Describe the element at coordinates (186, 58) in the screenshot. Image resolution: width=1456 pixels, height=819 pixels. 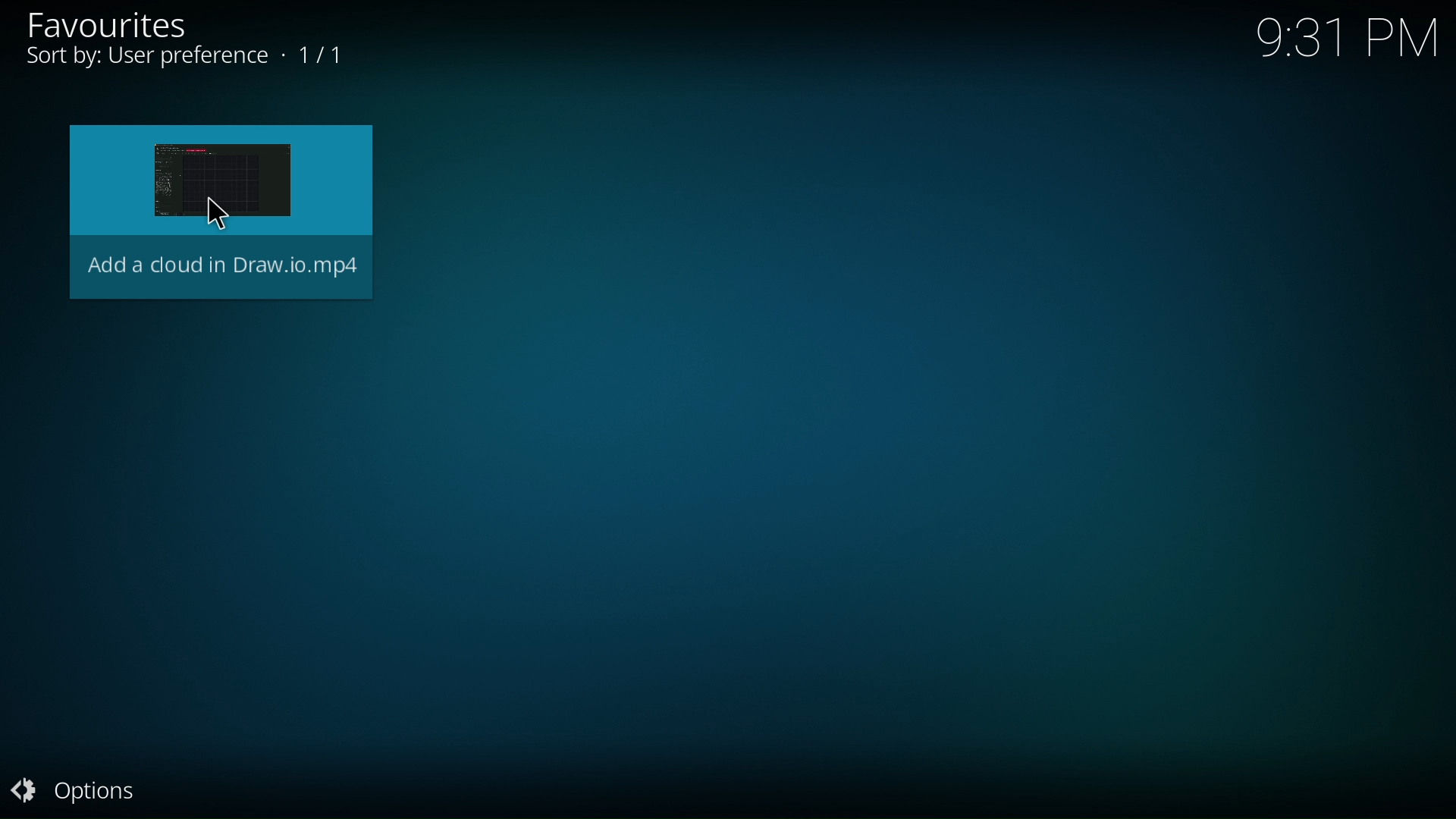
I see `Sort by: User preference + 1/1` at that location.